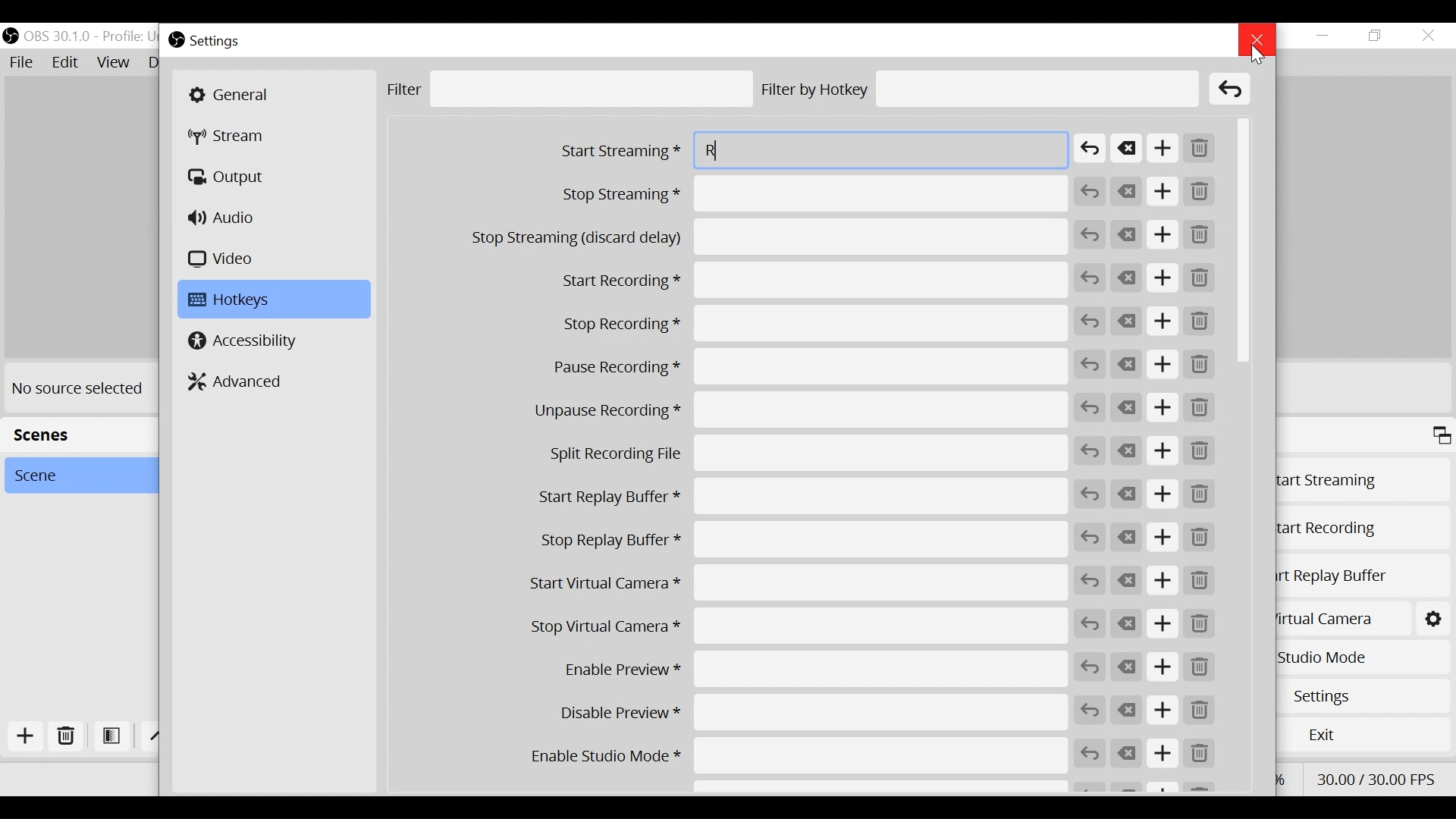 Image resolution: width=1456 pixels, height=819 pixels. Describe the element at coordinates (799, 756) in the screenshot. I see `Enable Studio Mode` at that location.